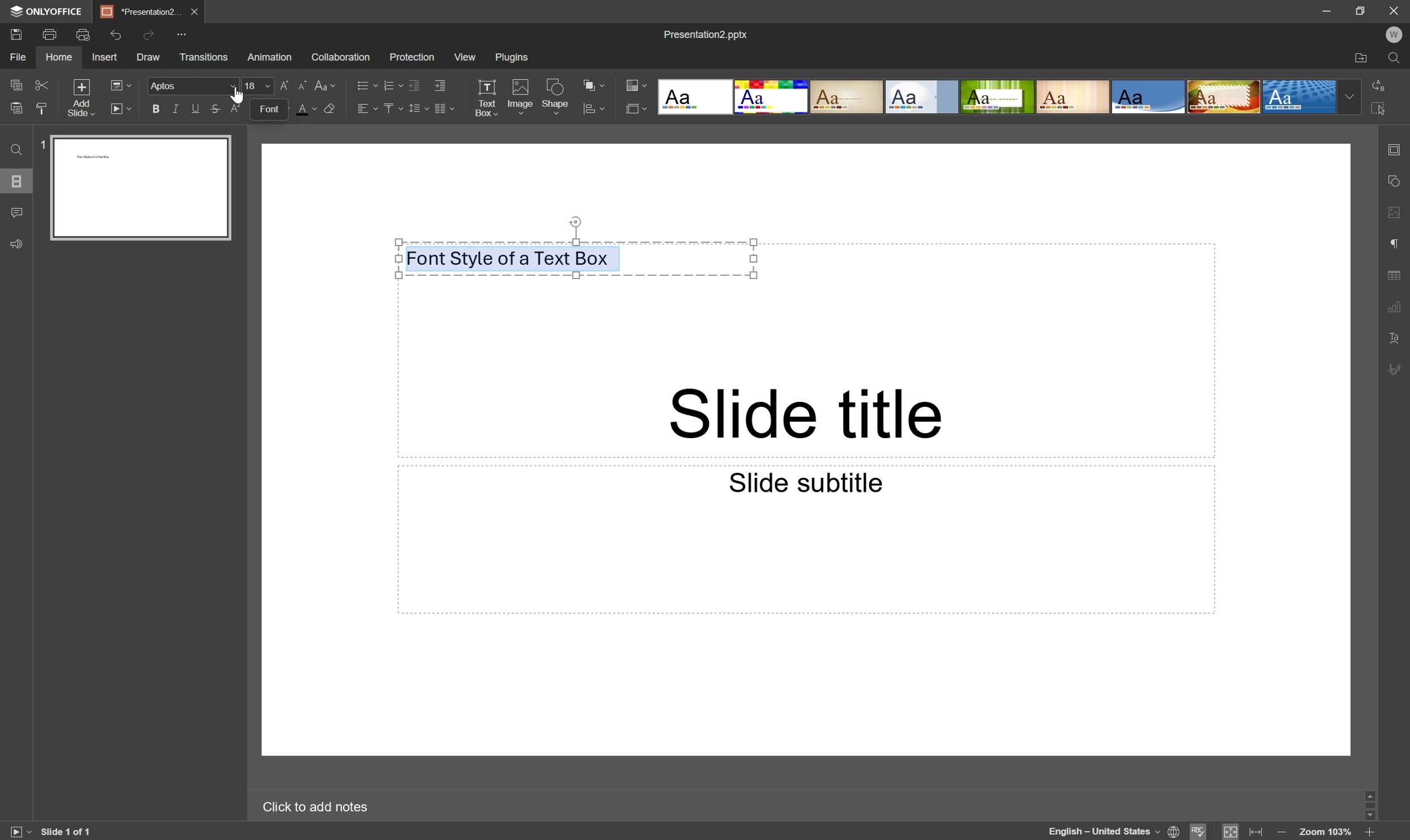 The width and height of the screenshot is (1410, 840). Describe the element at coordinates (237, 94) in the screenshot. I see `Cursor` at that location.